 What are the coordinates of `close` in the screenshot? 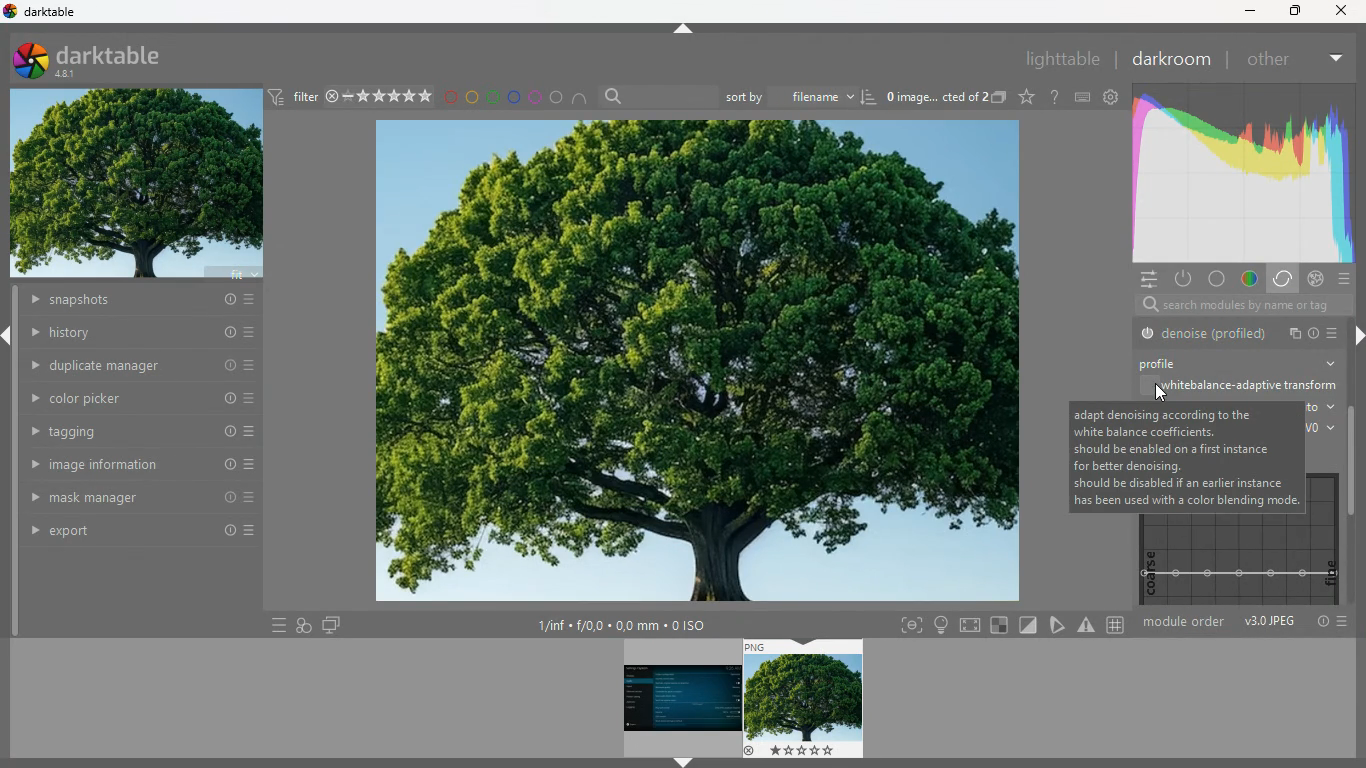 It's located at (1346, 11).